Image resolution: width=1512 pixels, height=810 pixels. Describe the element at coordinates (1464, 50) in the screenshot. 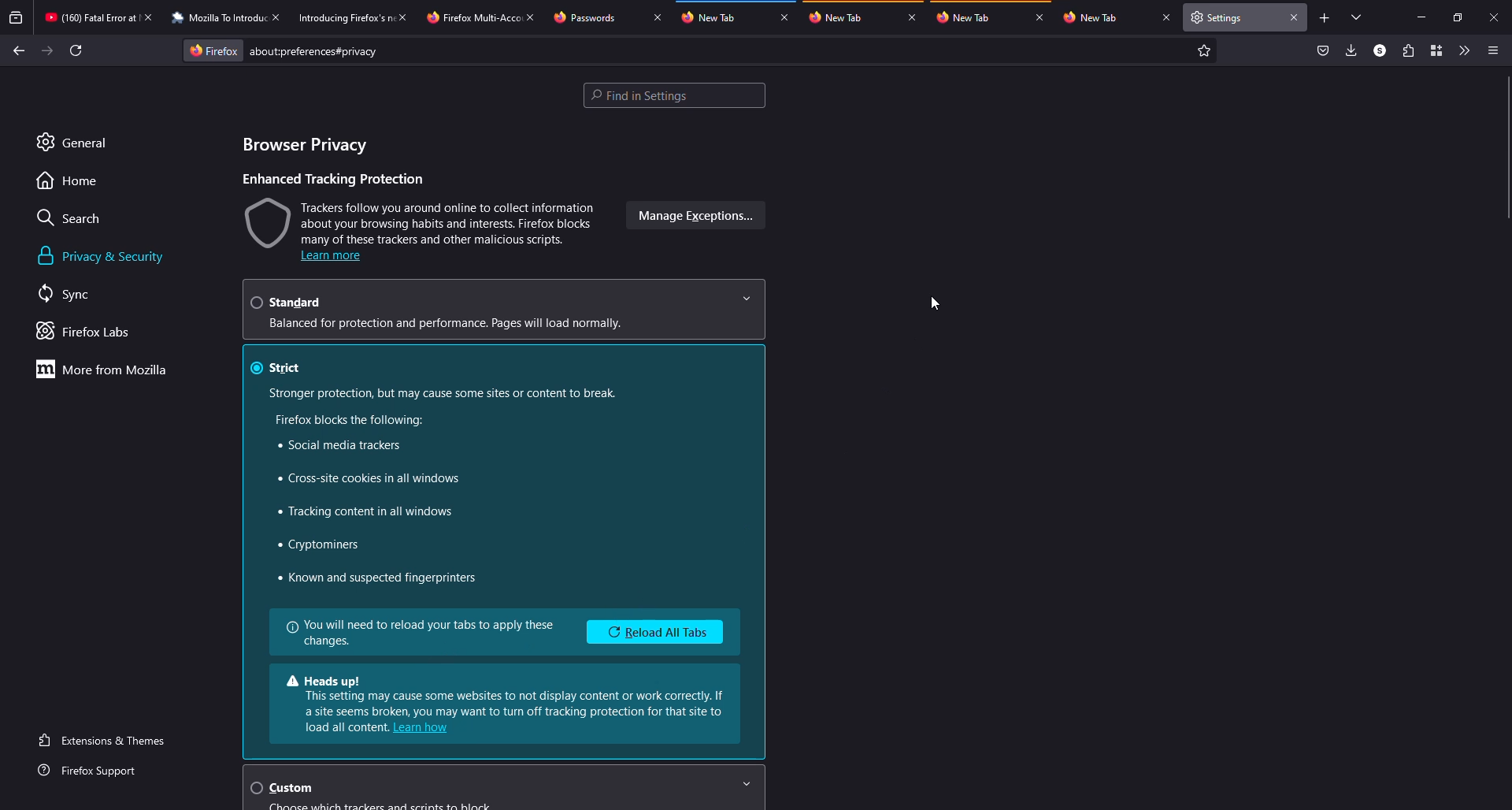

I see `more tools` at that location.